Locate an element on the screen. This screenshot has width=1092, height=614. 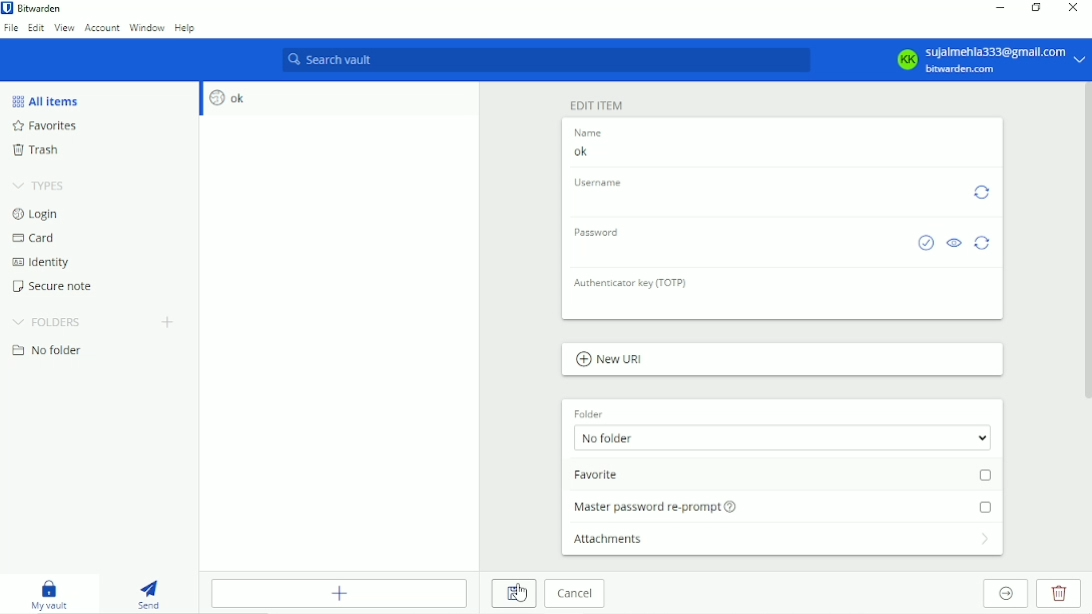
Name ok is located at coordinates (586, 131).